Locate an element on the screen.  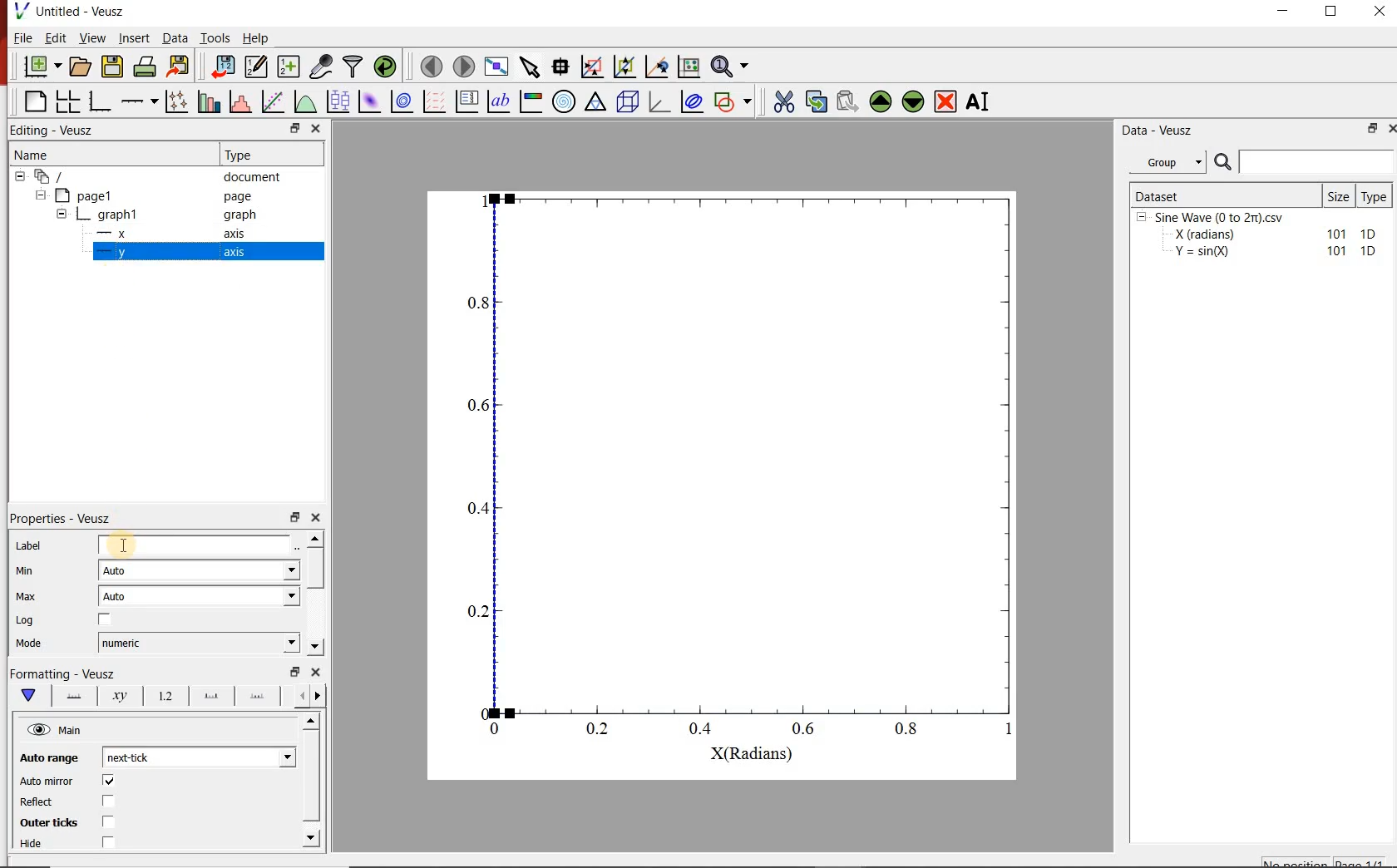
plot 2d dataset as image is located at coordinates (370, 101).